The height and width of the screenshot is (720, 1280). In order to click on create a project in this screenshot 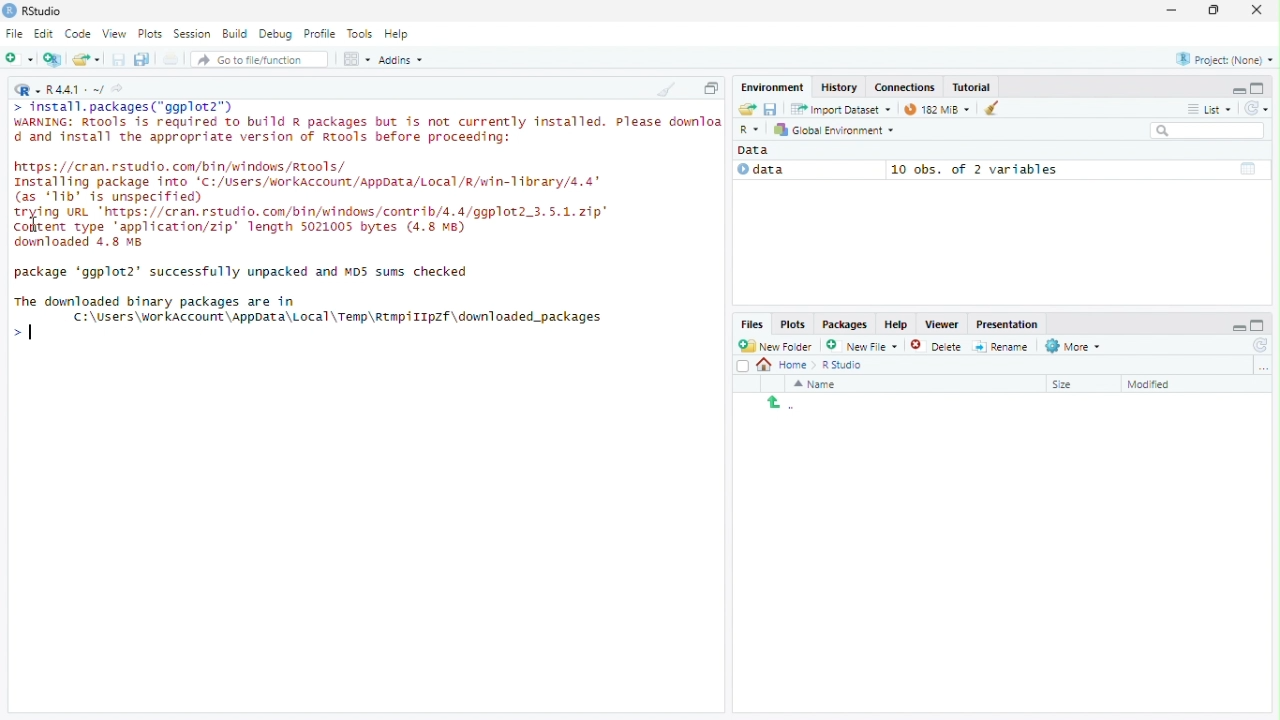, I will do `click(53, 59)`.